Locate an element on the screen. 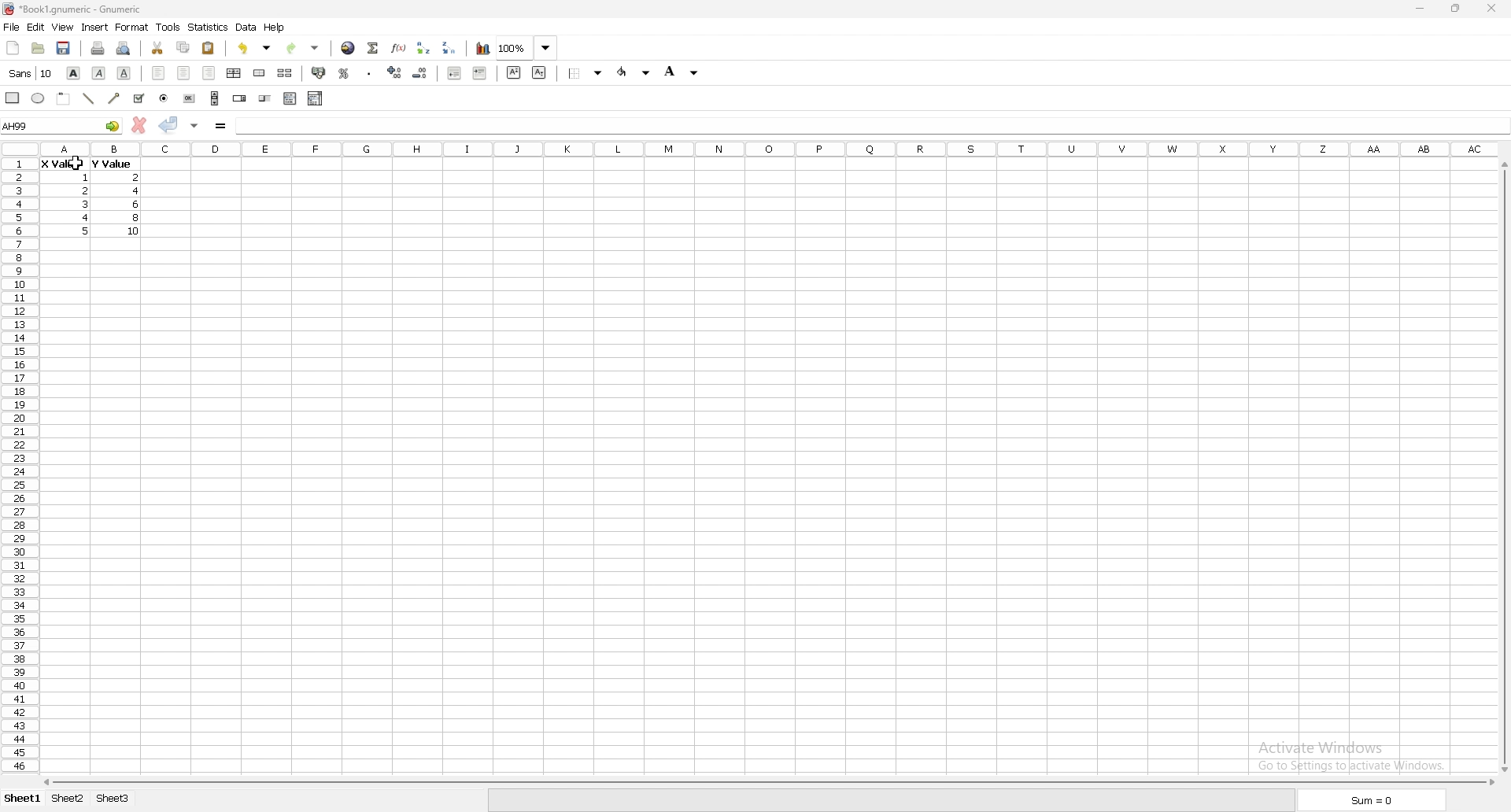 The width and height of the screenshot is (1511, 812). value is located at coordinates (87, 178).